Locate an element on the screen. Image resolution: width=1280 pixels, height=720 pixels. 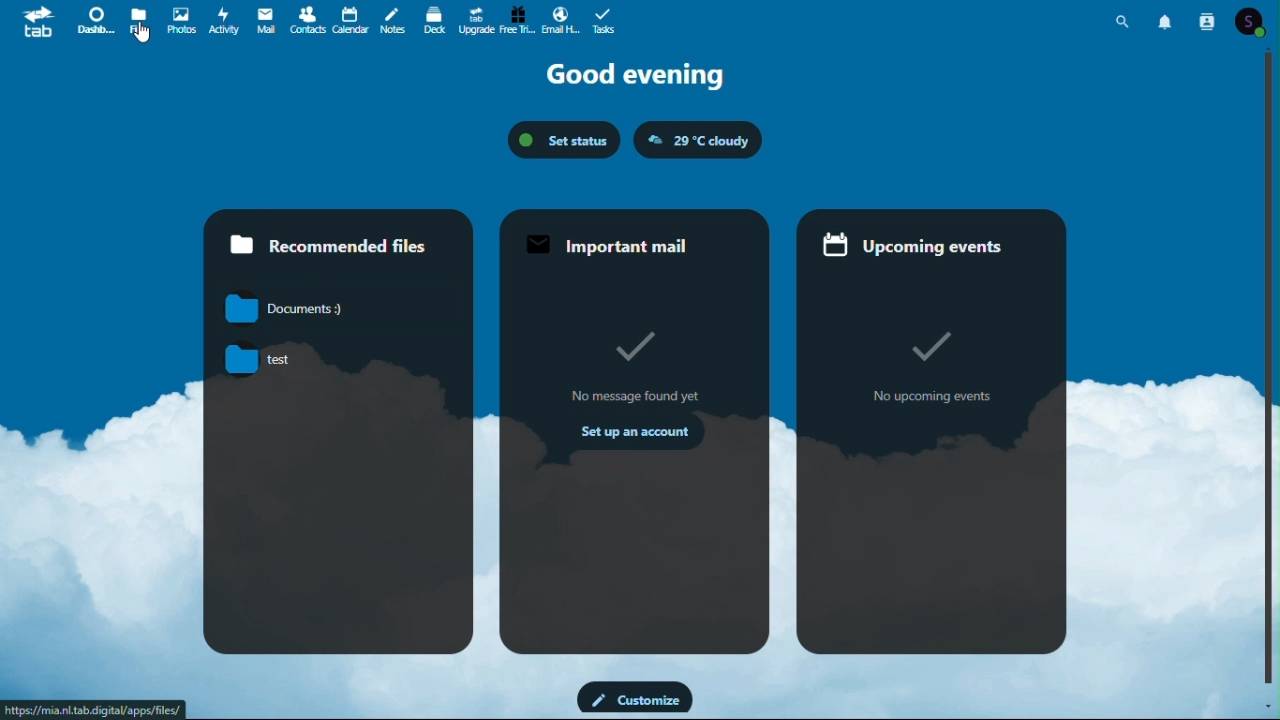
 is located at coordinates (1166, 17).